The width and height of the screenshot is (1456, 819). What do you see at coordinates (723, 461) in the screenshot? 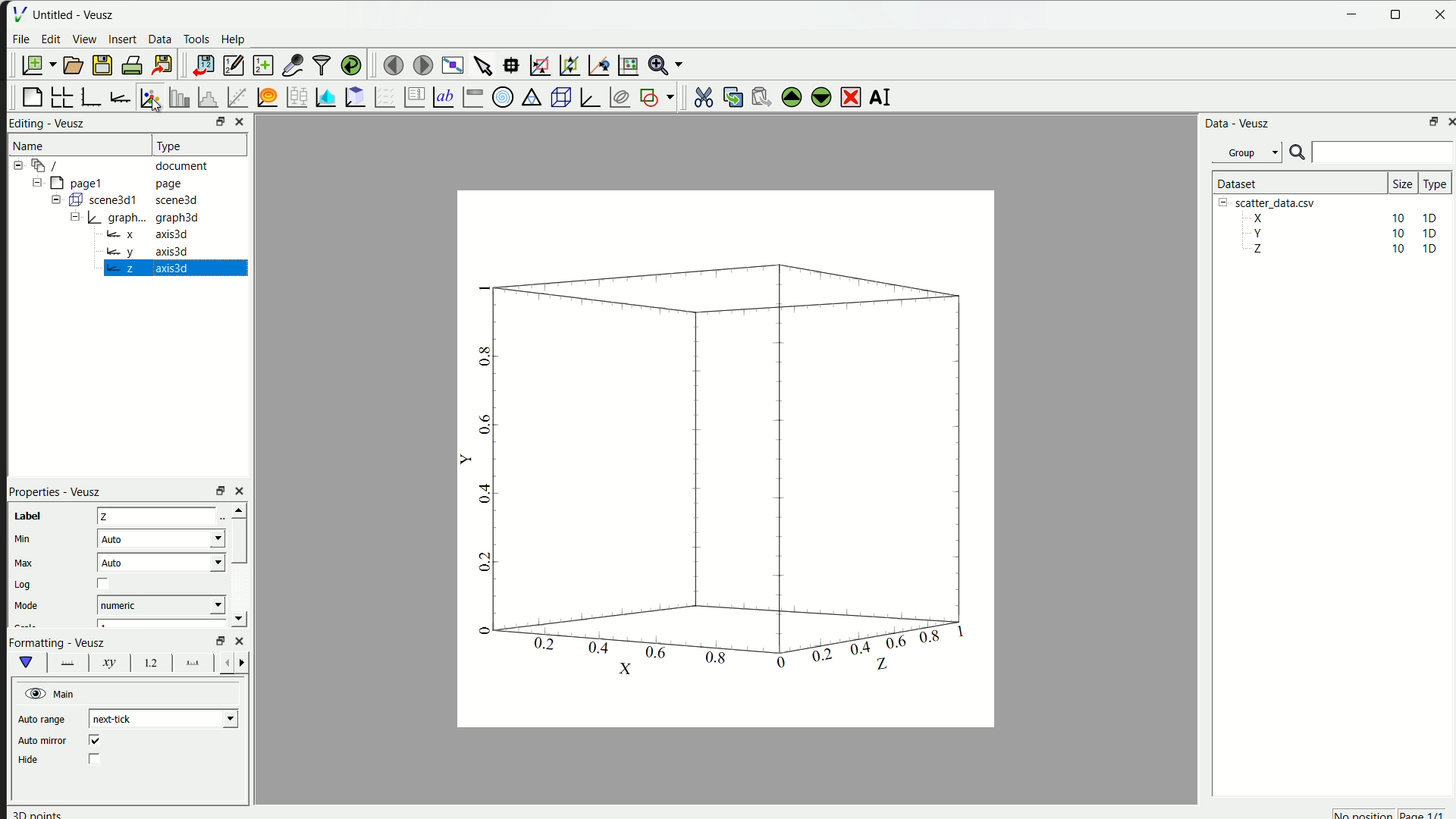
I see `canvas` at bounding box center [723, 461].